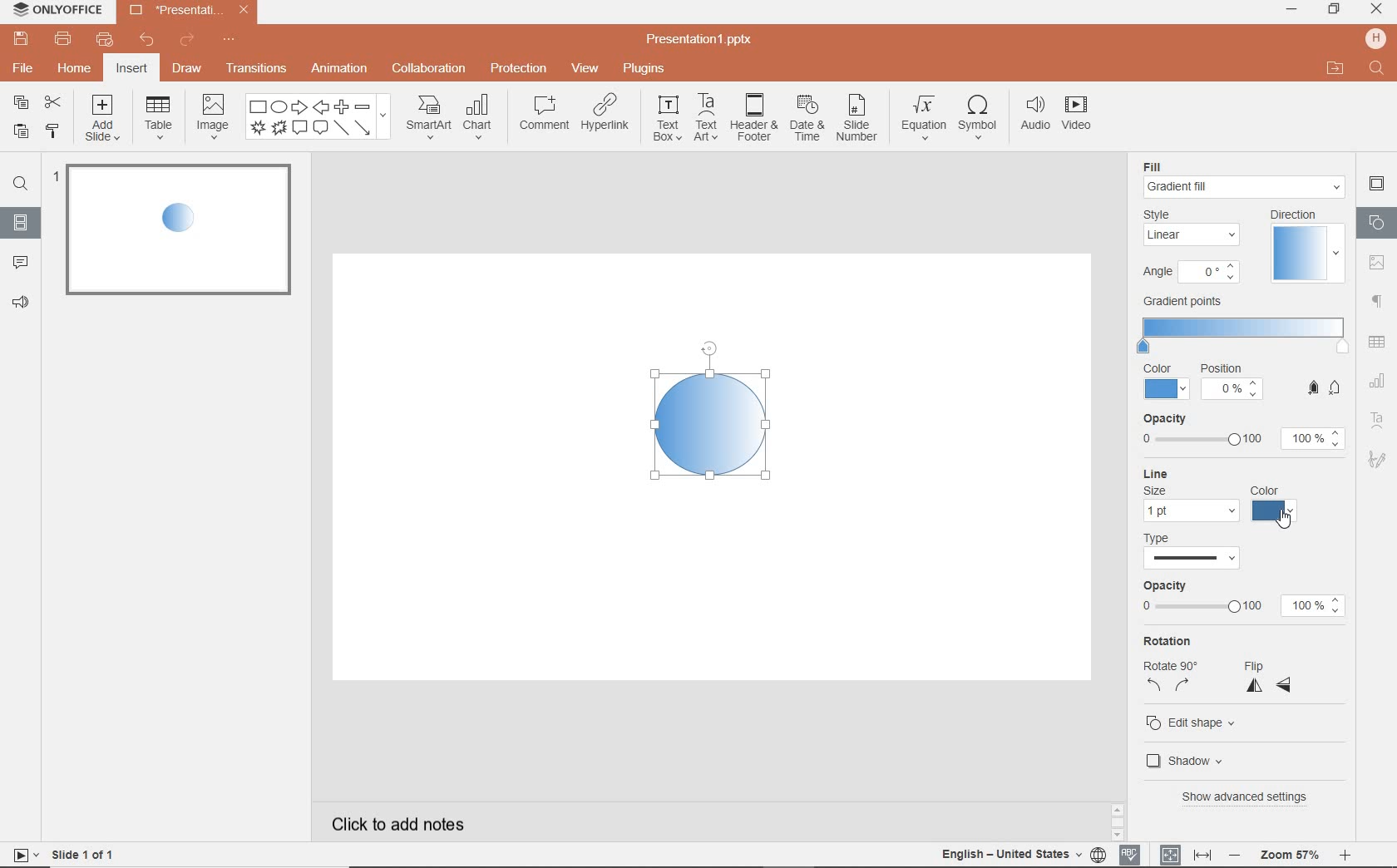 This screenshot has width=1397, height=868. I want to click on LINE, so click(1227, 474).